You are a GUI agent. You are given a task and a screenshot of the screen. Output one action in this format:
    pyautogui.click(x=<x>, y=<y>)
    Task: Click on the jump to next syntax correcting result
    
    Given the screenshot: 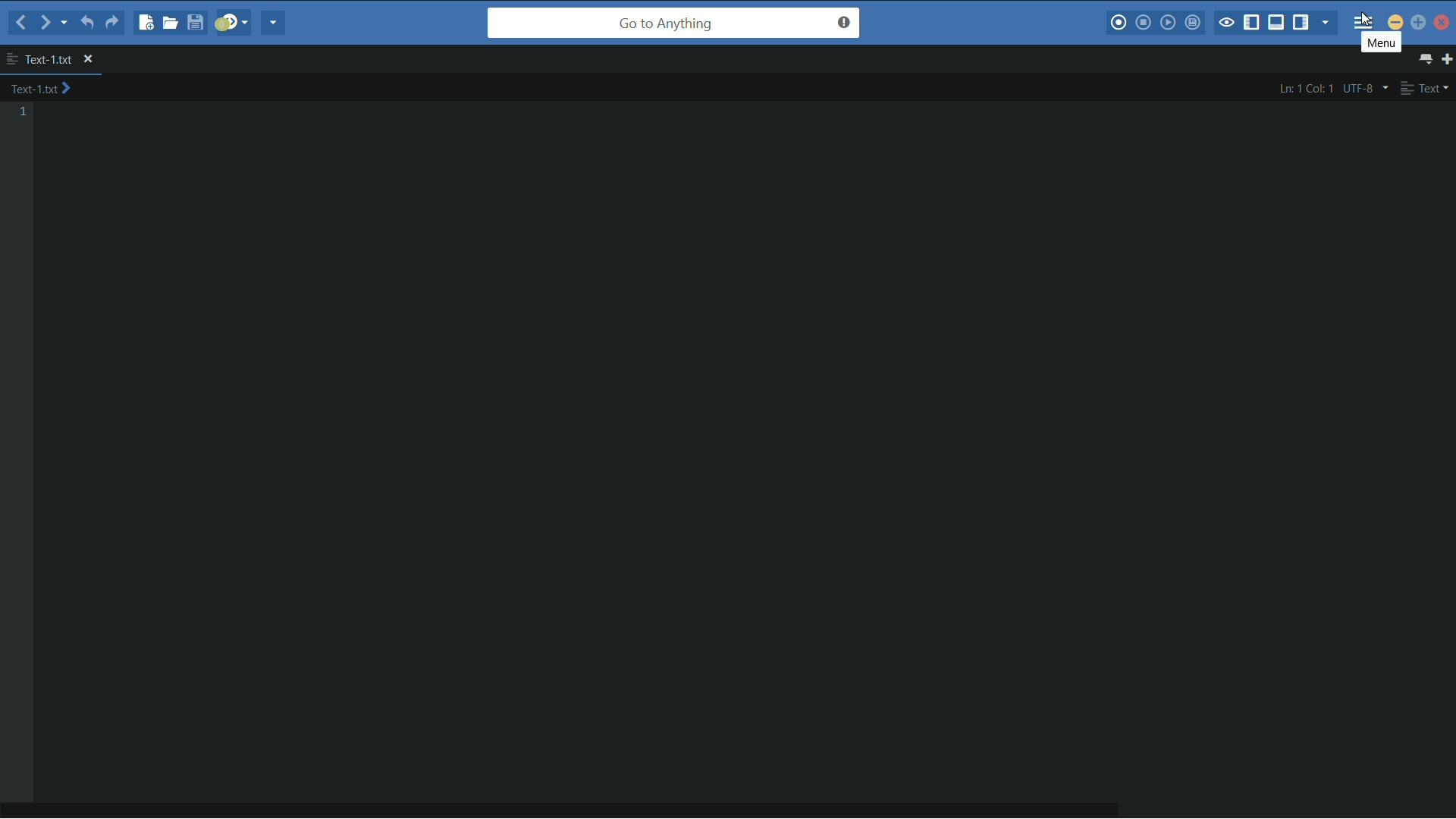 What is the action you would take?
    pyautogui.click(x=233, y=23)
    